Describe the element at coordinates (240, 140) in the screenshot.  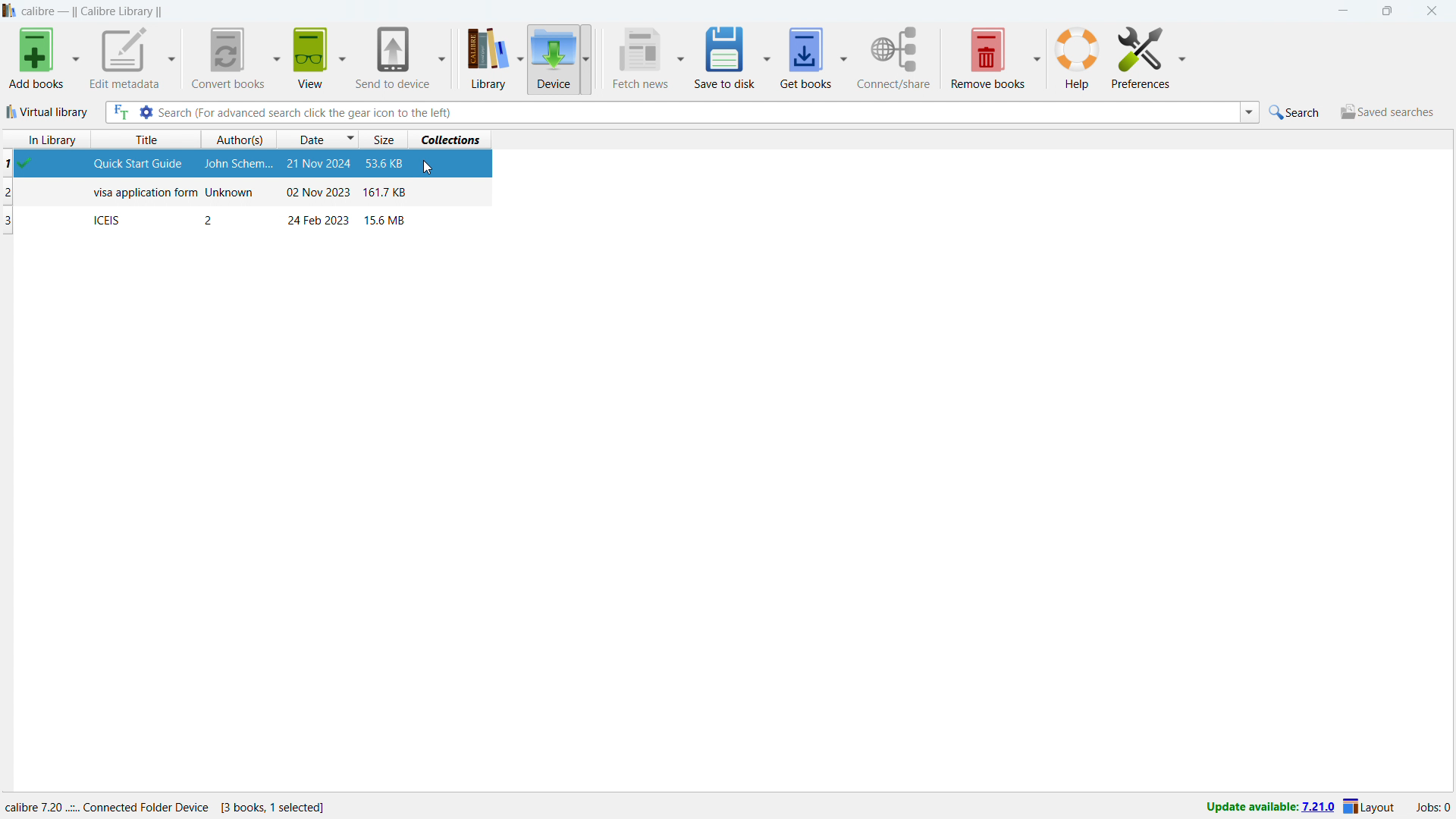
I see `sort by authors` at that location.